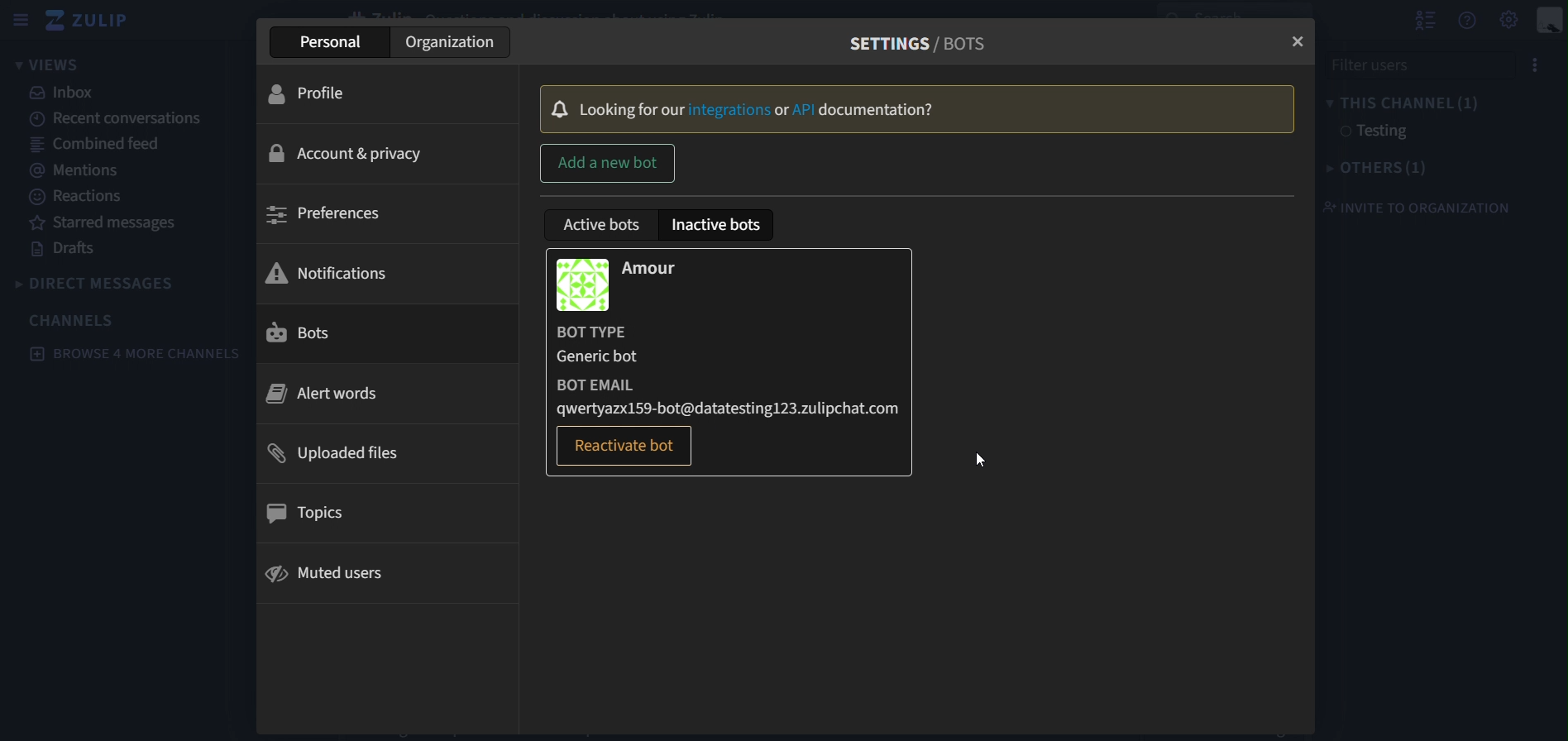 This screenshot has width=1568, height=741. I want to click on get help, so click(1469, 21).